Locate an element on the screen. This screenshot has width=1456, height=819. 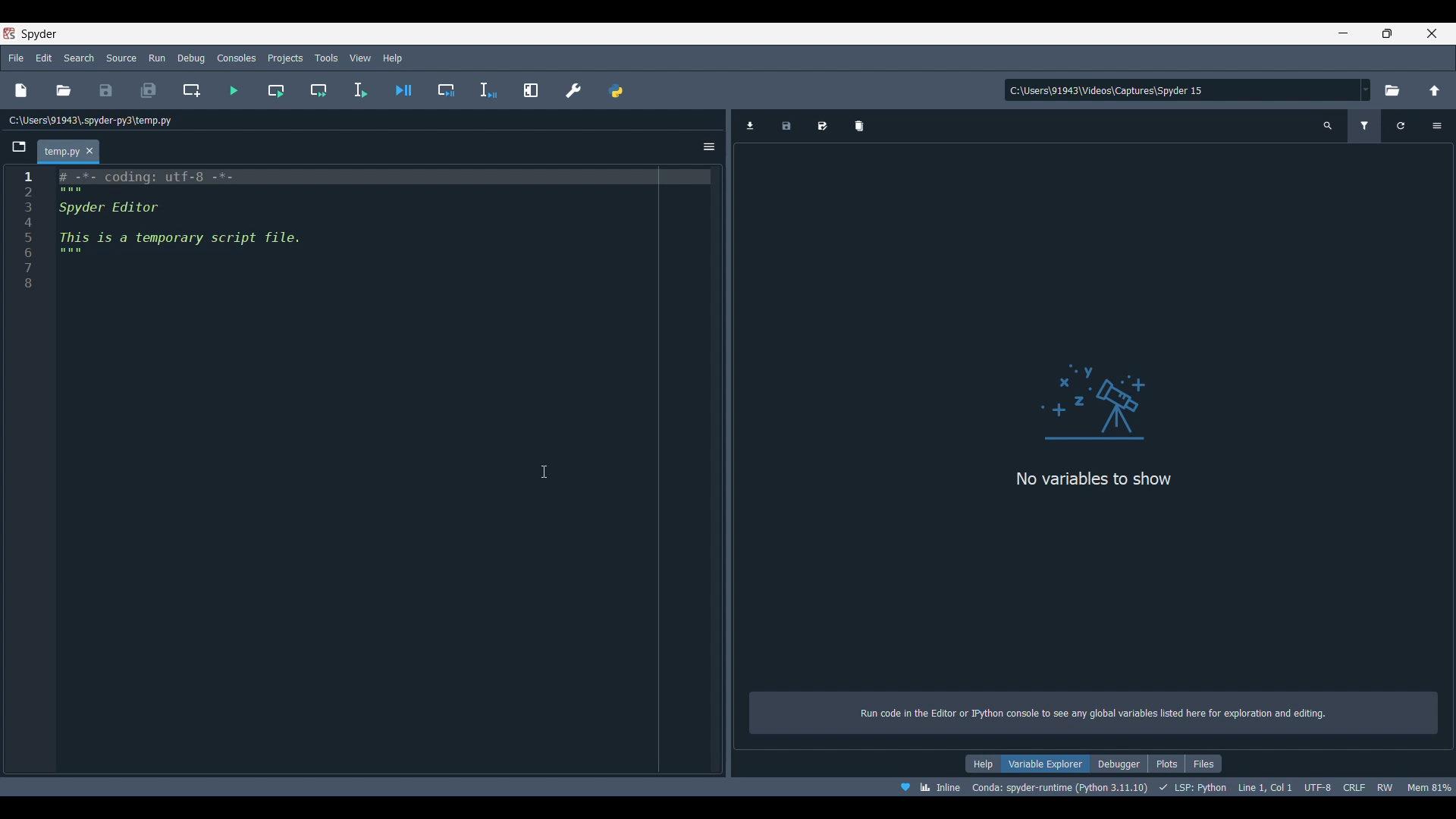
Tools menu is located at coordinates (327, 58).